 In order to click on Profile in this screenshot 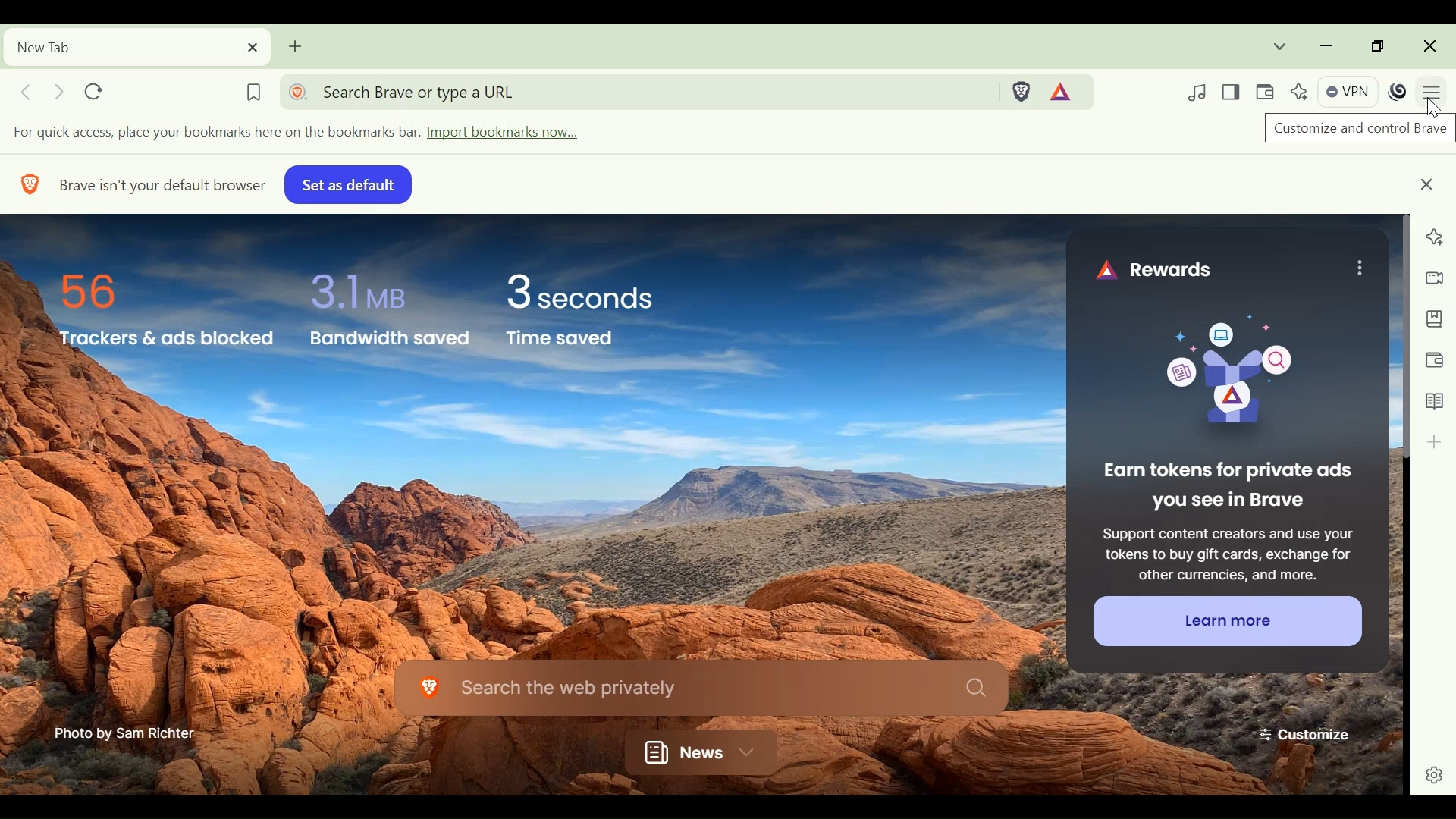, I will do `click(1398, 91)`.